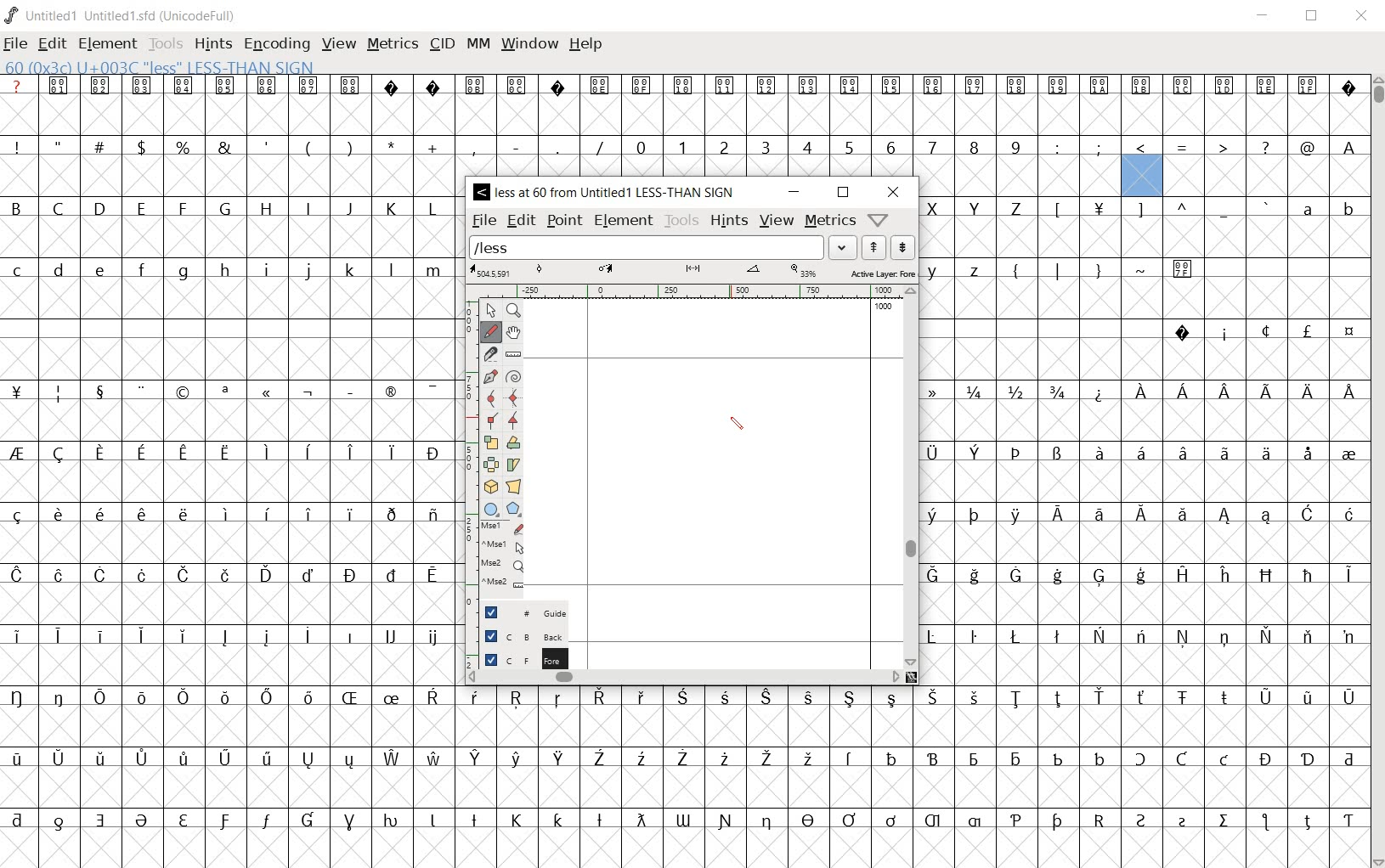 The image size is (1385, 868). What do you see at coordinates (1162, 209) in the screenshot?
I see `sumbols` at bounding box center [1162, 209].